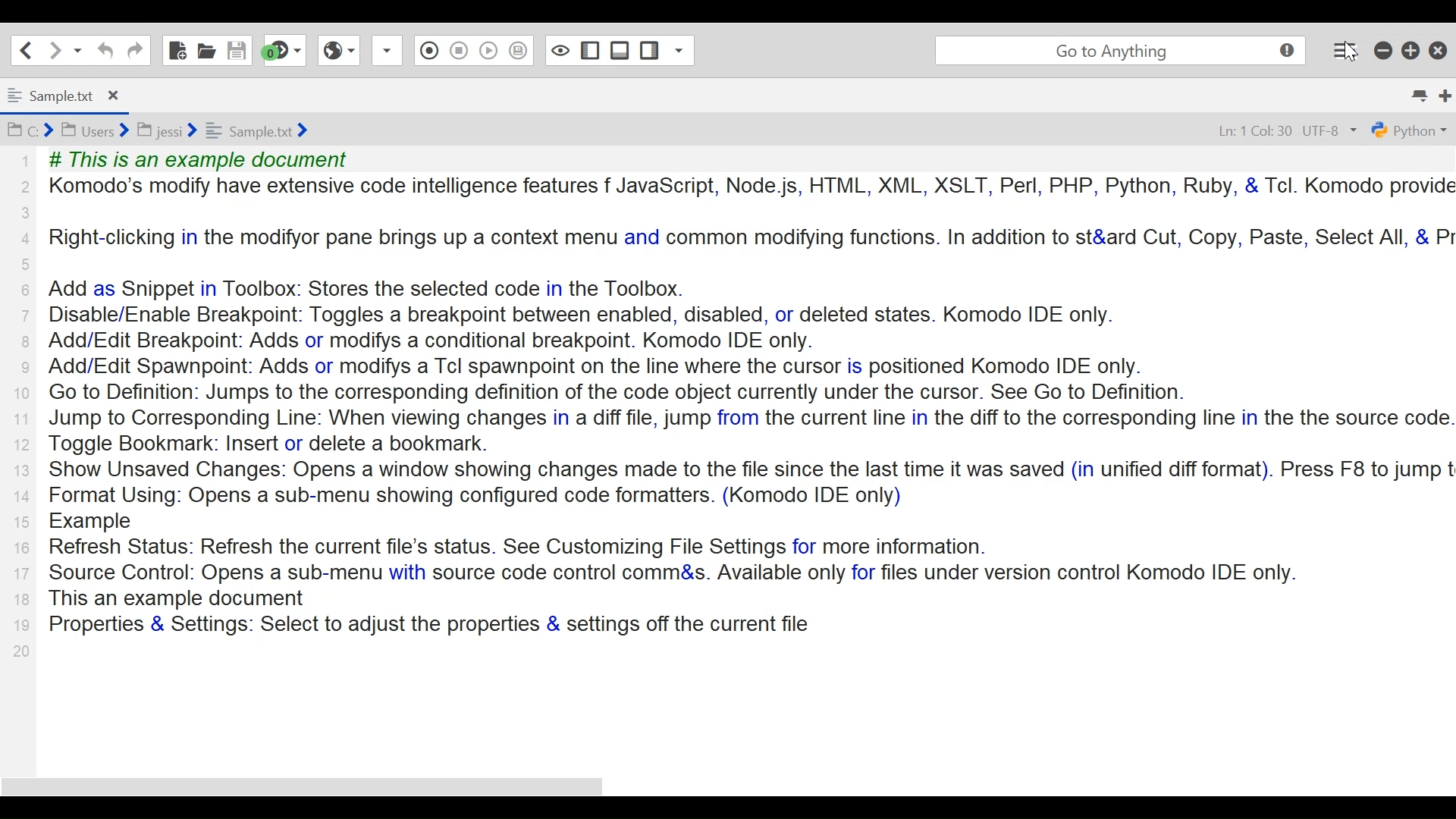  I want to click on Stop Recording Macro, so click(428, 49).